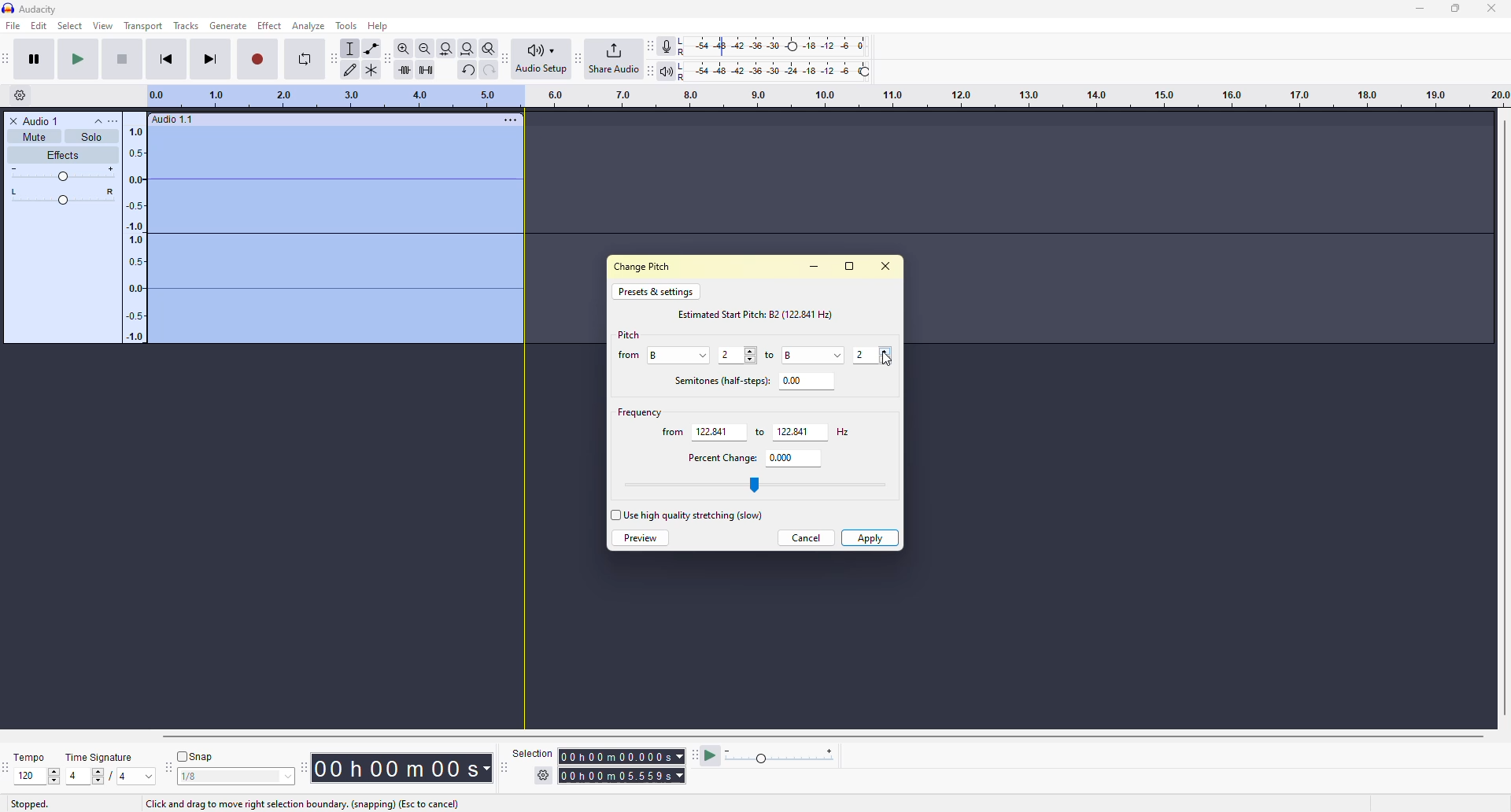 The height and width of the screenshot is (812, 1511). I want to click on record meter, so click(668, 46).